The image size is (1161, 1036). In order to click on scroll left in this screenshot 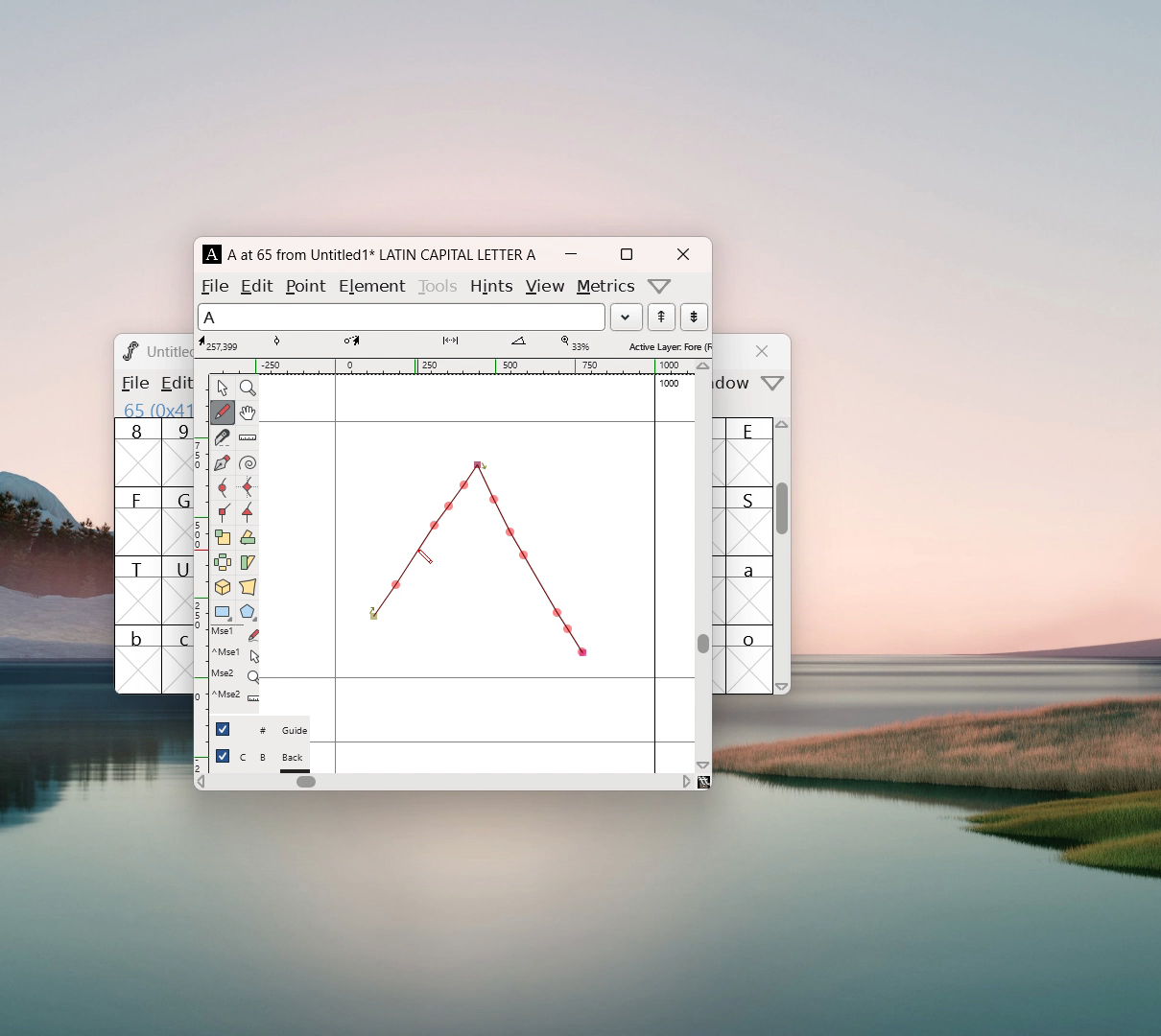, I will do `click(201, 784)`.